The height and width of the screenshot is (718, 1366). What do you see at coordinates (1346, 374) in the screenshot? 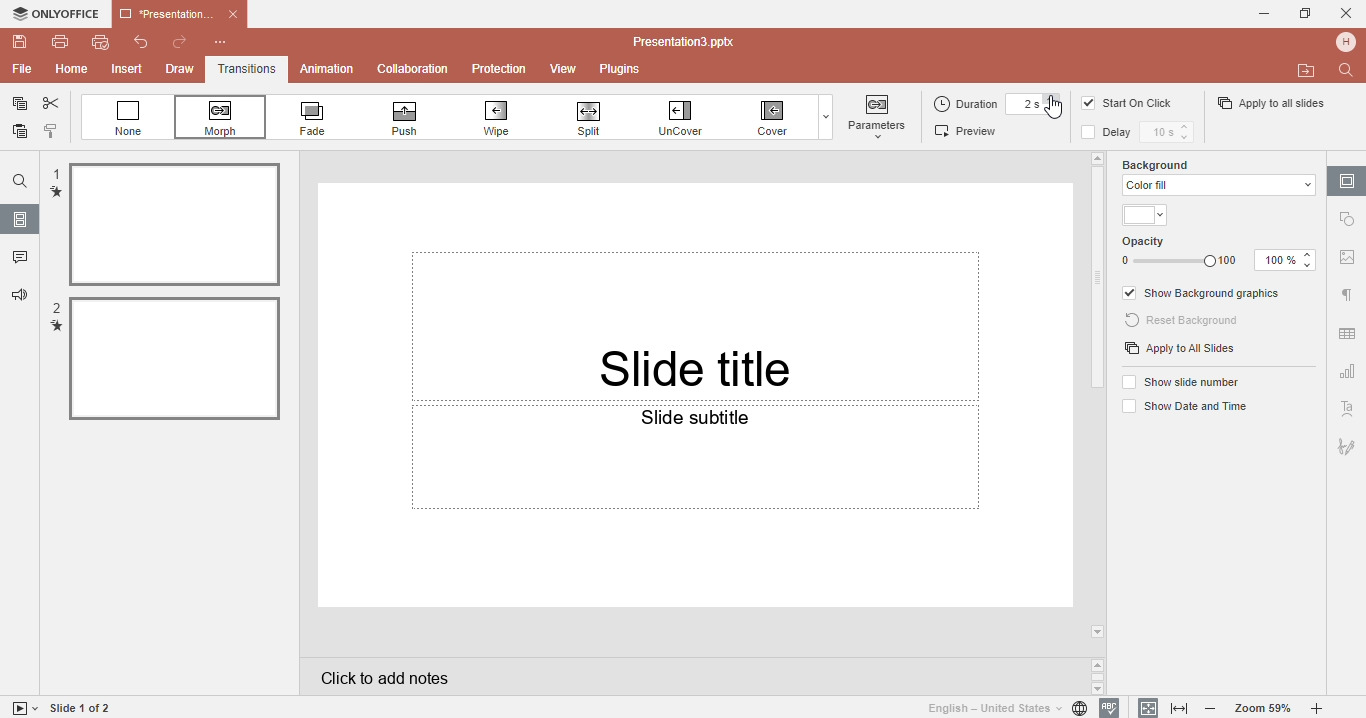
I see `Chart setting` at bounding box center [1346, 374].